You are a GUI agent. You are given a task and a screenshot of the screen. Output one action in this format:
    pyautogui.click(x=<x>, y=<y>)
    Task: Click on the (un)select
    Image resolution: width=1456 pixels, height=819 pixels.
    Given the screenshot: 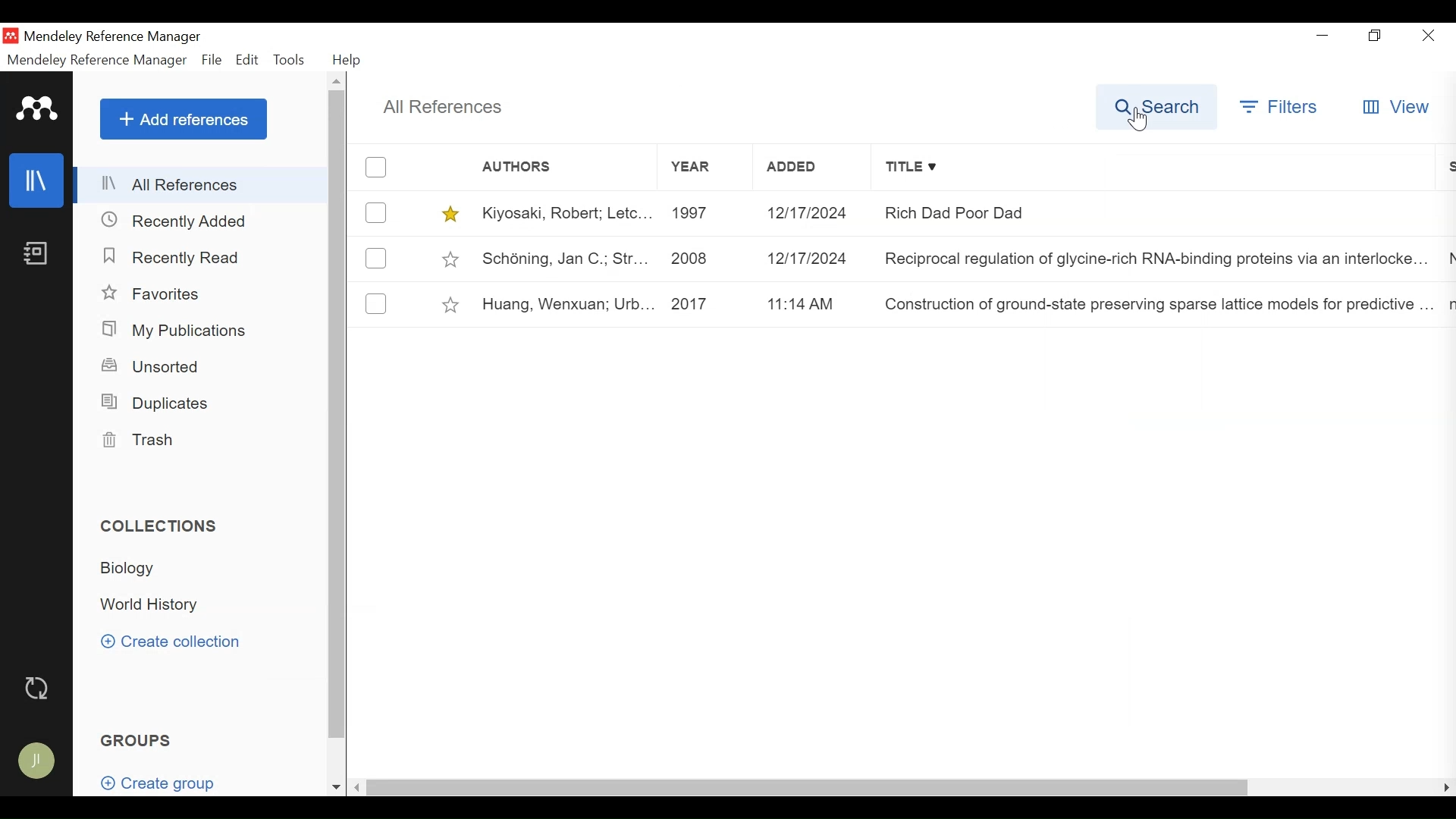 What is the action you would take?
    pyautogui.click(x=377, y=258)
    